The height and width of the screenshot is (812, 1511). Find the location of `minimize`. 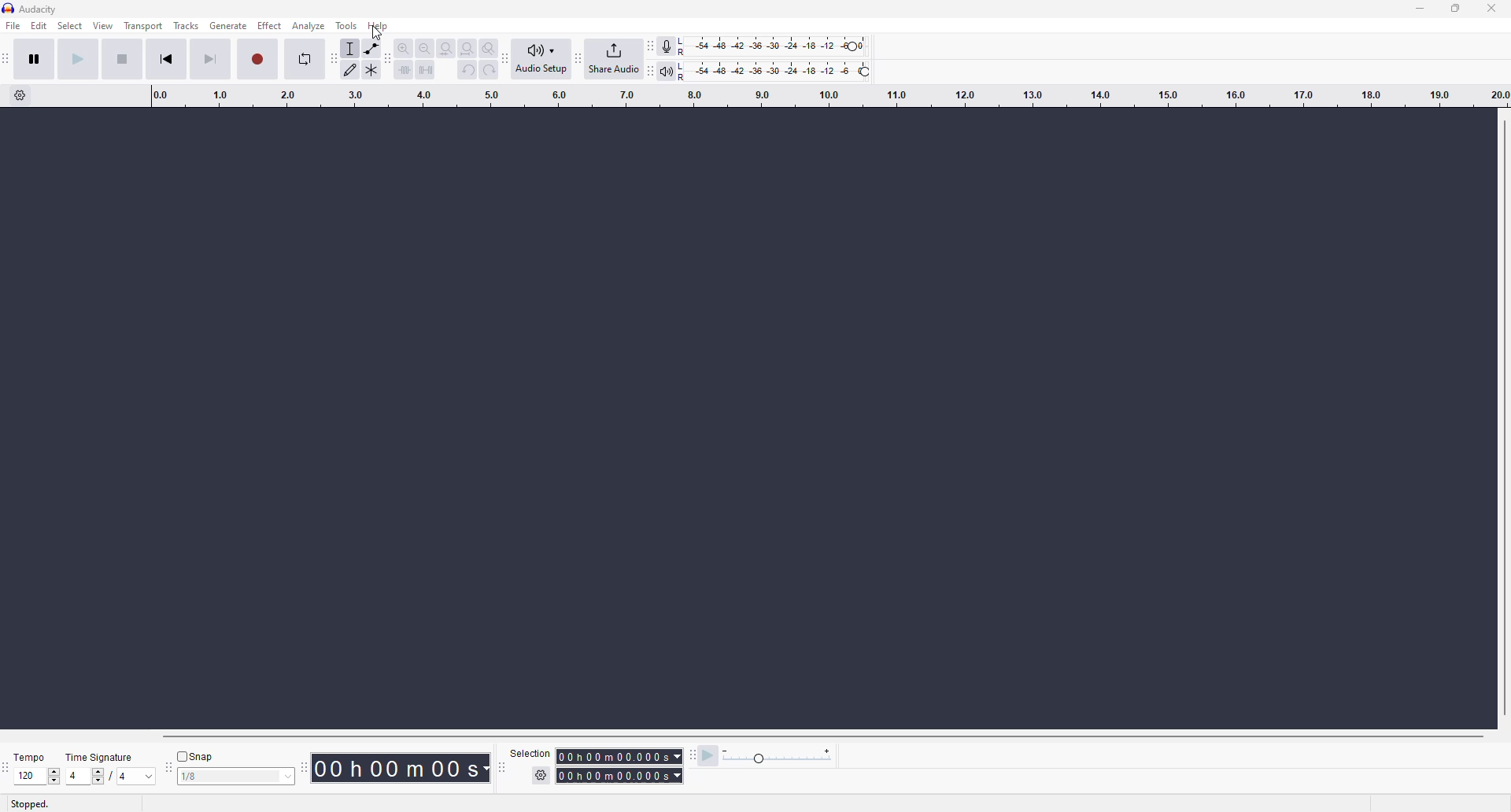

minimize is located at coordinates (1418, 8).